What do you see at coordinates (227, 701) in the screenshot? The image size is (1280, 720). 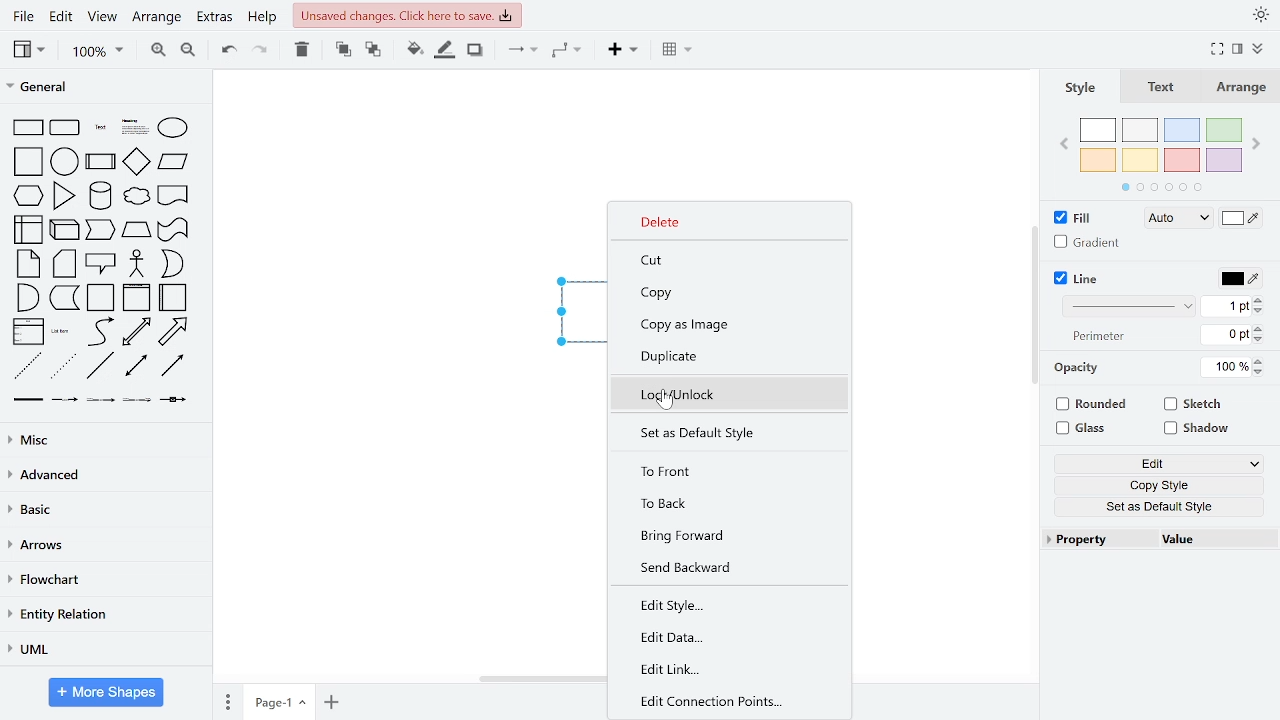 I see `pages` at bounding box center [227, 701].